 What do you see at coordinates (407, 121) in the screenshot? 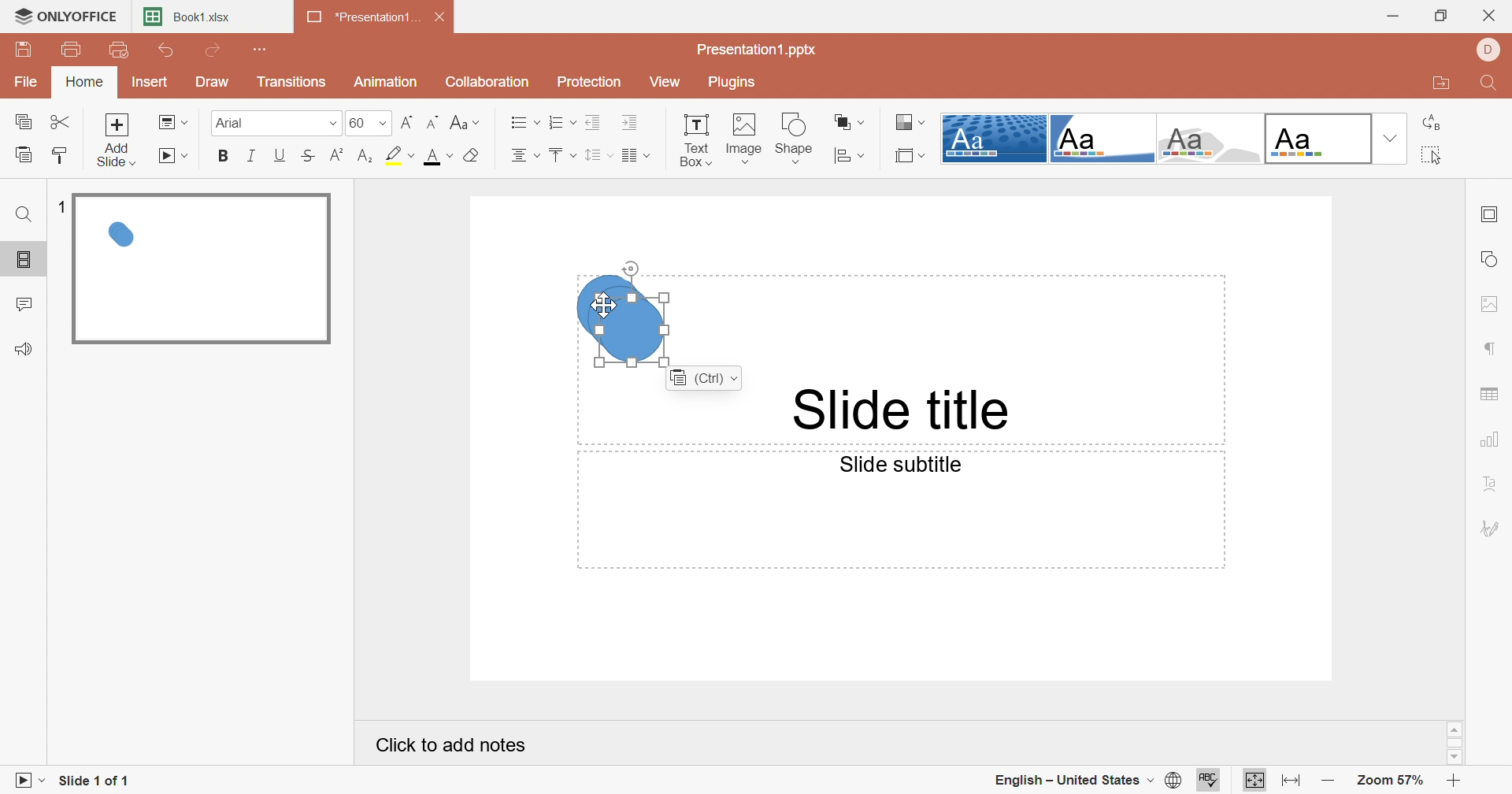
I see `Increment font size` at bounding box center [407, 121].